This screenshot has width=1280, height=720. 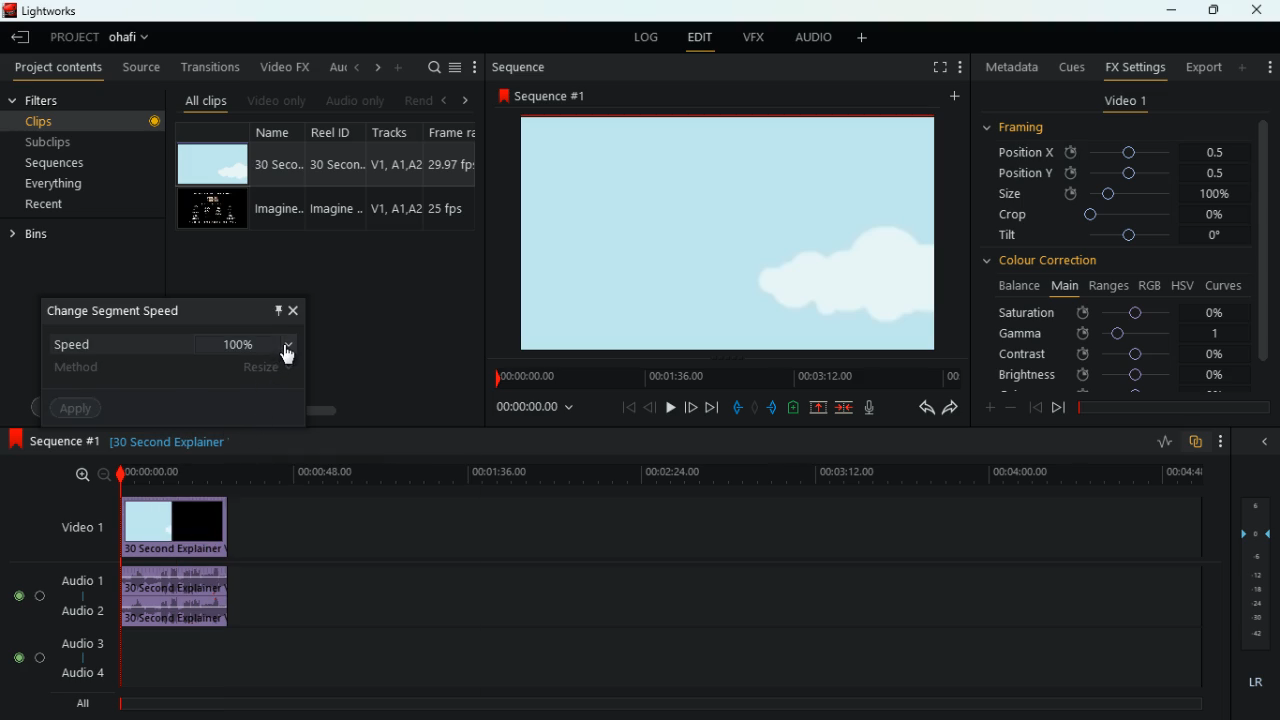 What do you see at coordinates (727, 232) in the screenshot?
I see `image` at bounding box center [727, 232].